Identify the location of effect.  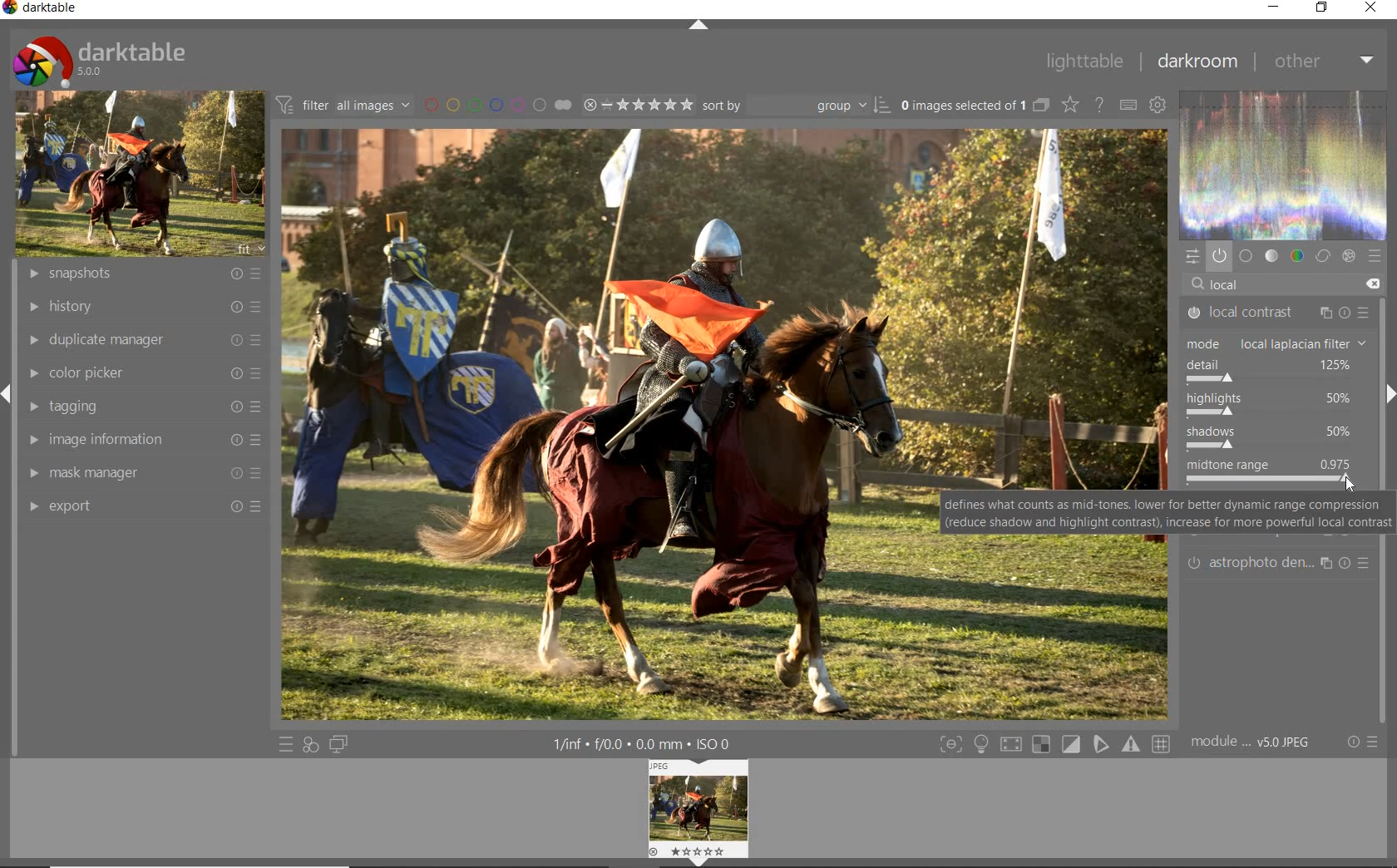
(1349, 255).